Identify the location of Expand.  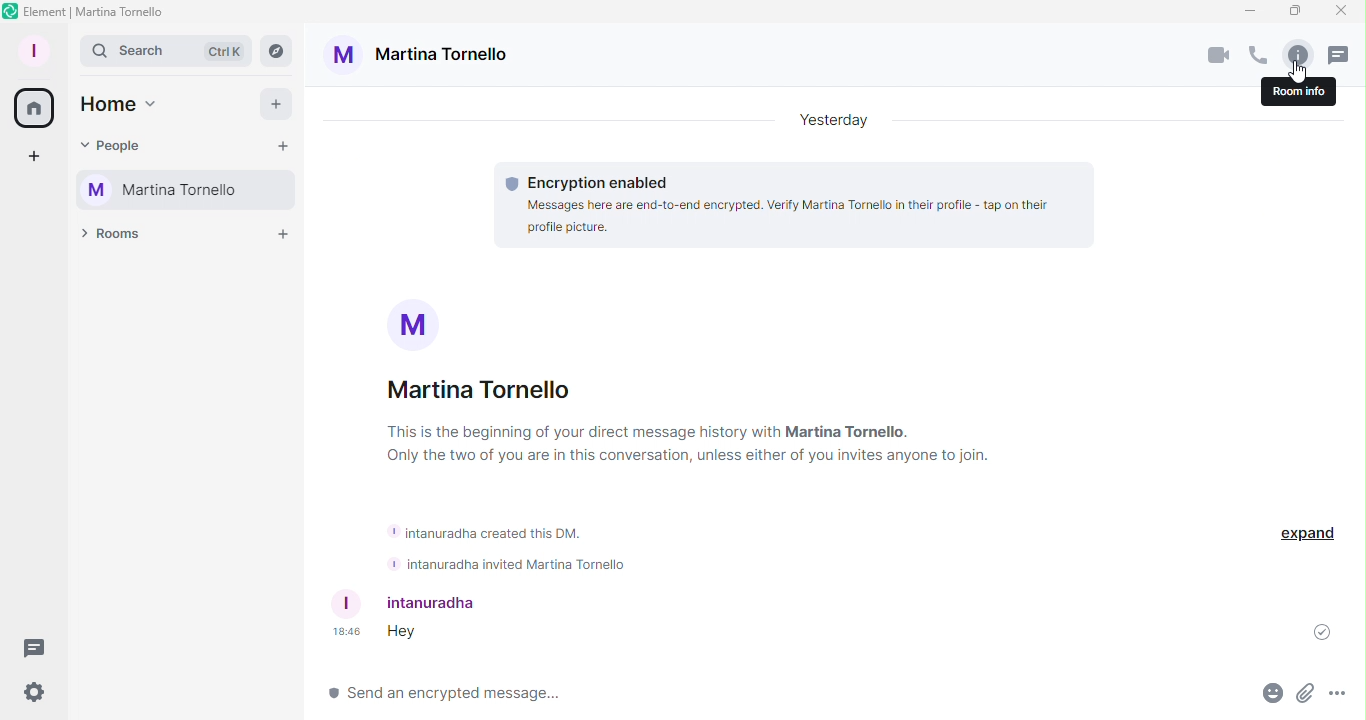
(1311, 531).